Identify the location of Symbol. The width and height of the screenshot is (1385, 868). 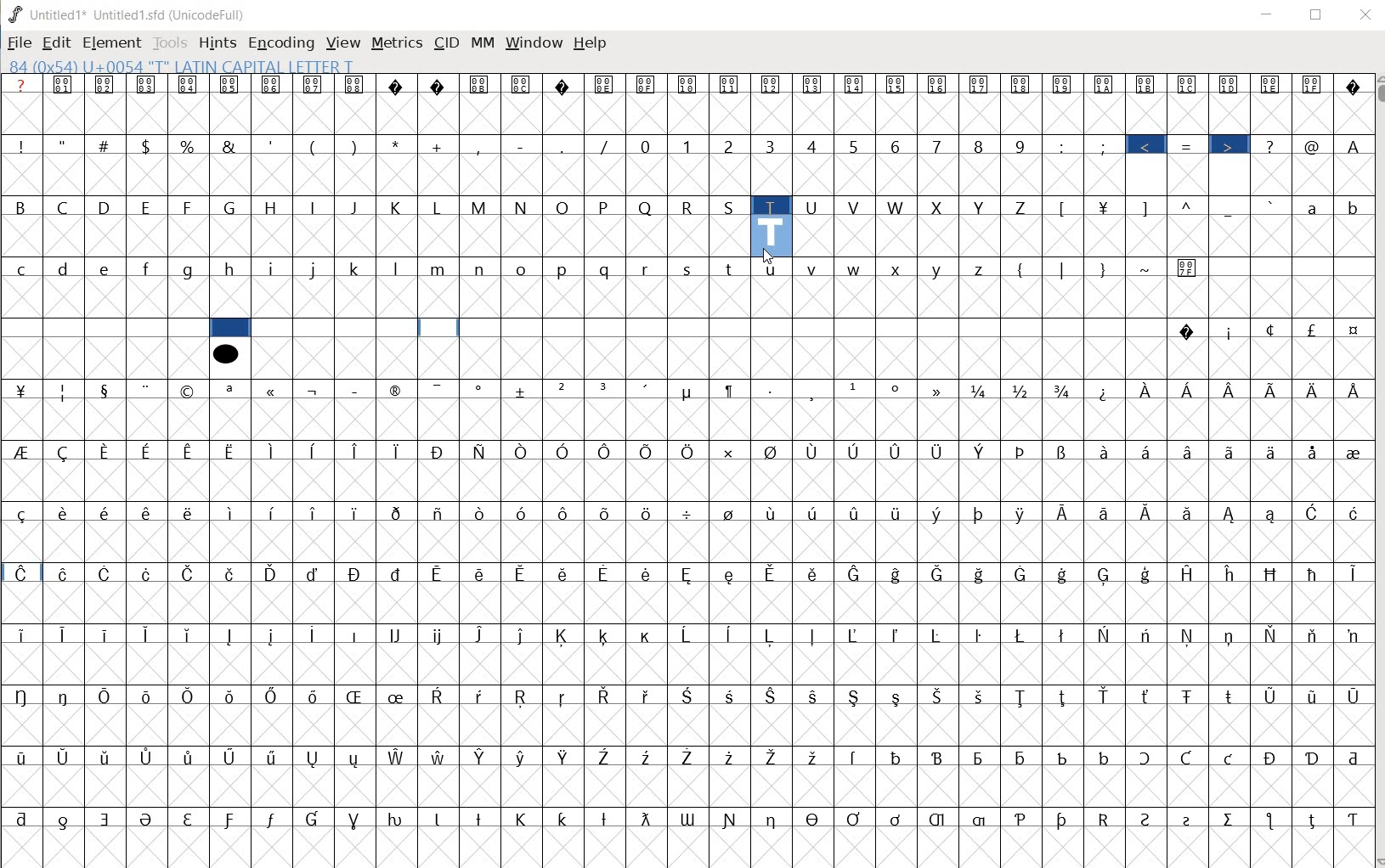
(482, 757).